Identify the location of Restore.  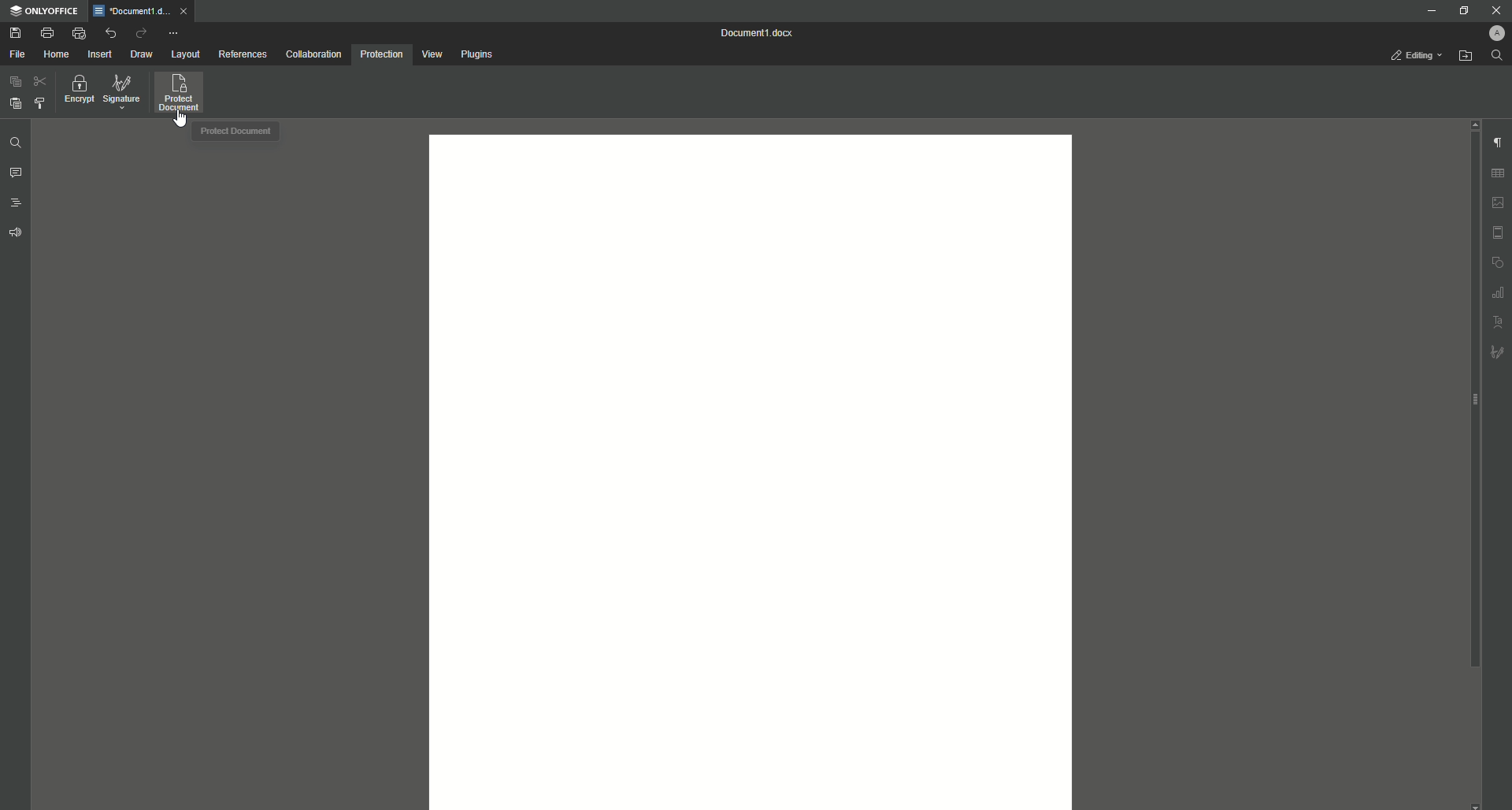
(1463, 11).